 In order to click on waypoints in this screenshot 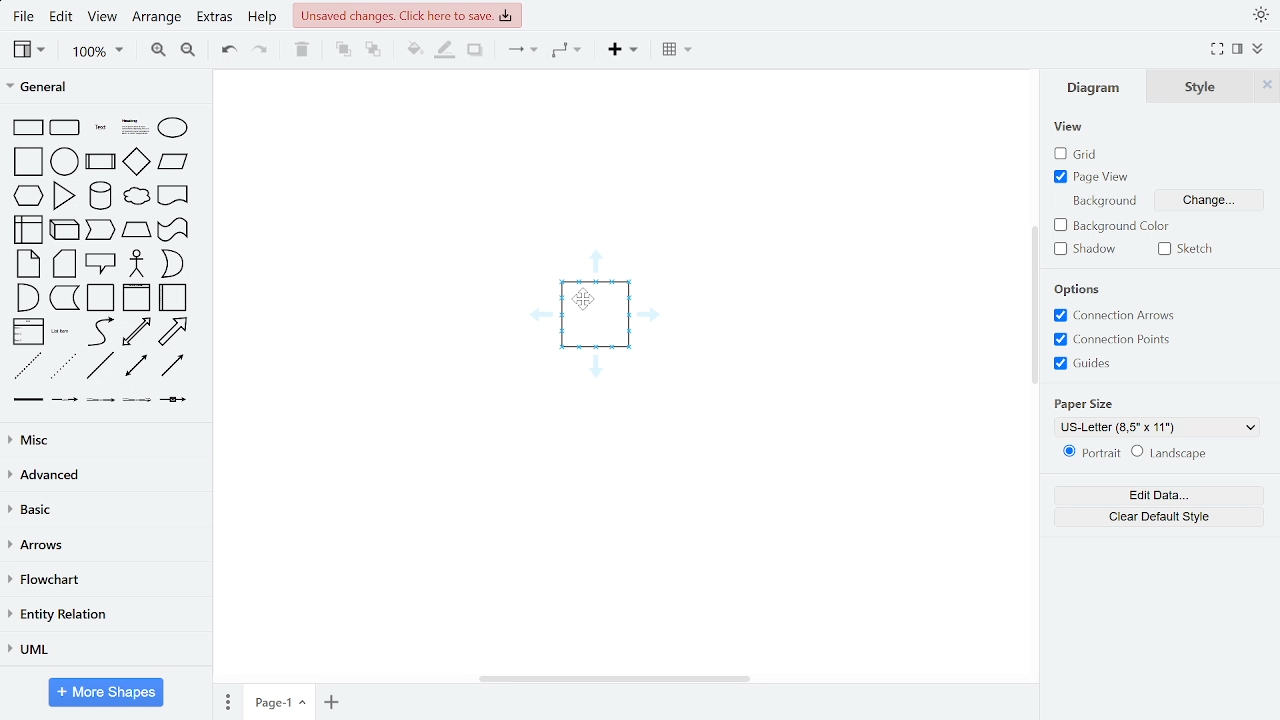, I will do `click(570, 52)`.